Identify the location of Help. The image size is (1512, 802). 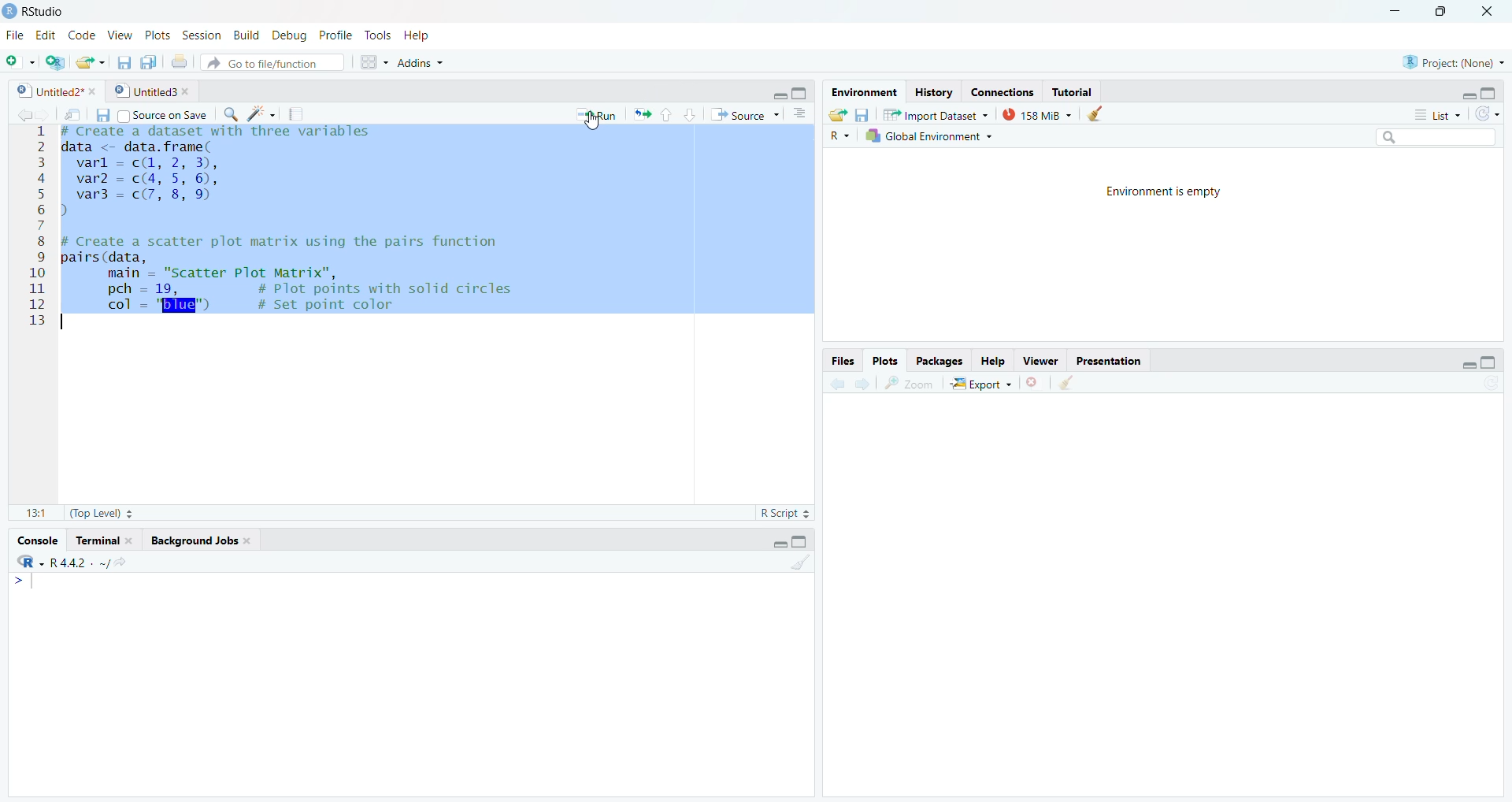
(433, 35).